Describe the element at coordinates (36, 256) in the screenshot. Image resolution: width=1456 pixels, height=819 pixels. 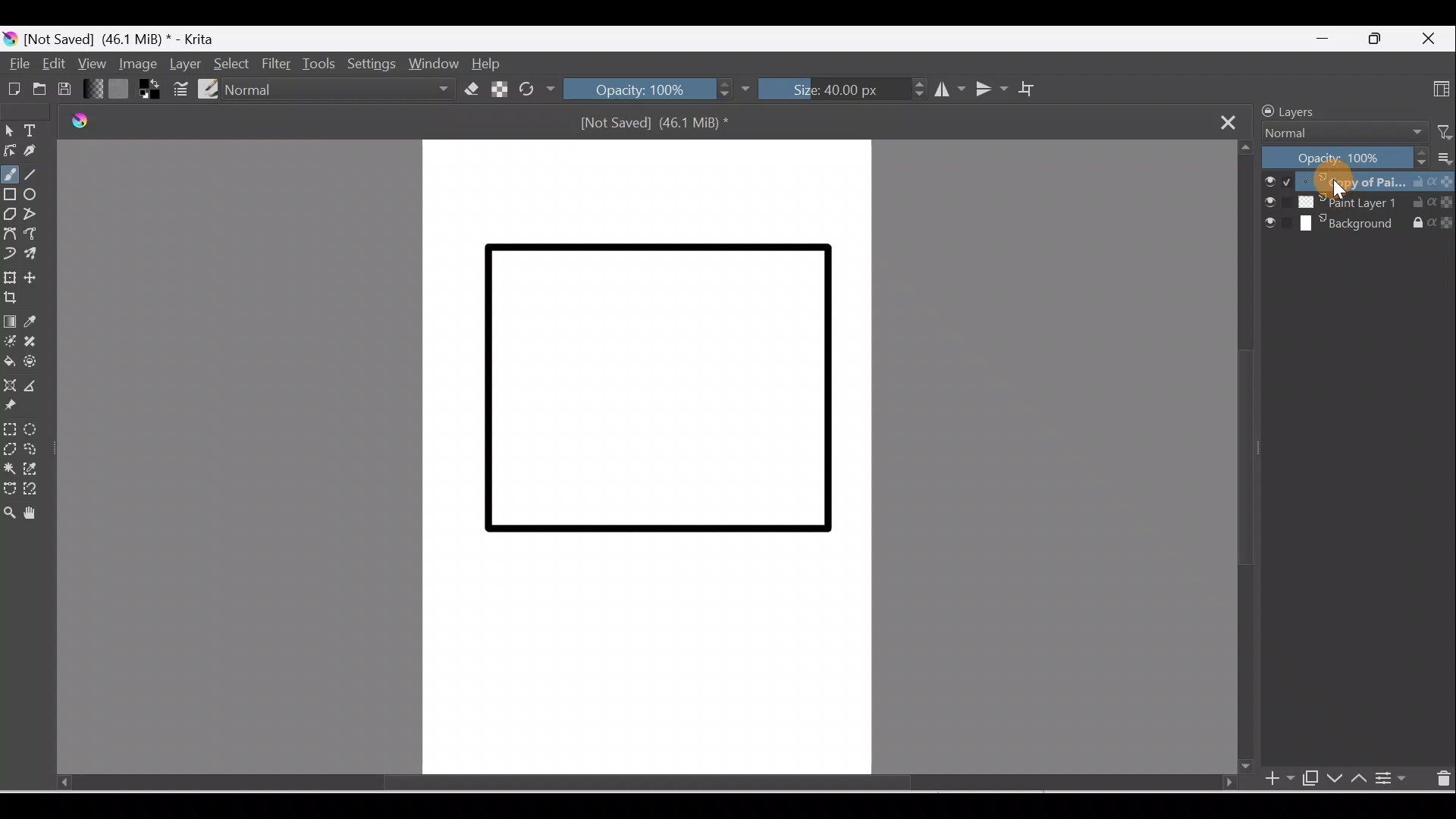
I see `Multibrush tool` at that location.